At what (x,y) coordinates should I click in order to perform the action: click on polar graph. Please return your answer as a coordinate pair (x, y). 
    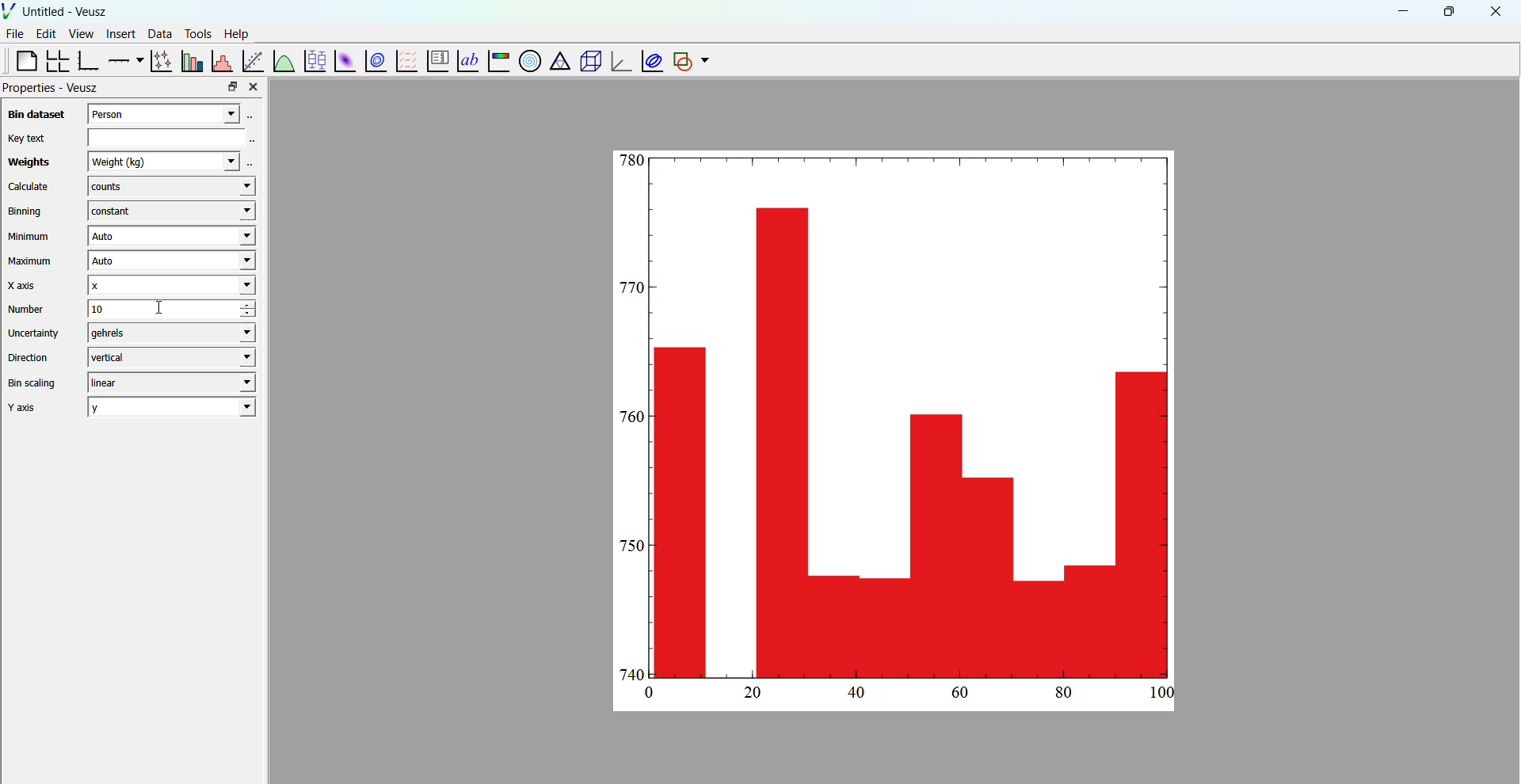
    Looking at the image, I should click on (527, 60).